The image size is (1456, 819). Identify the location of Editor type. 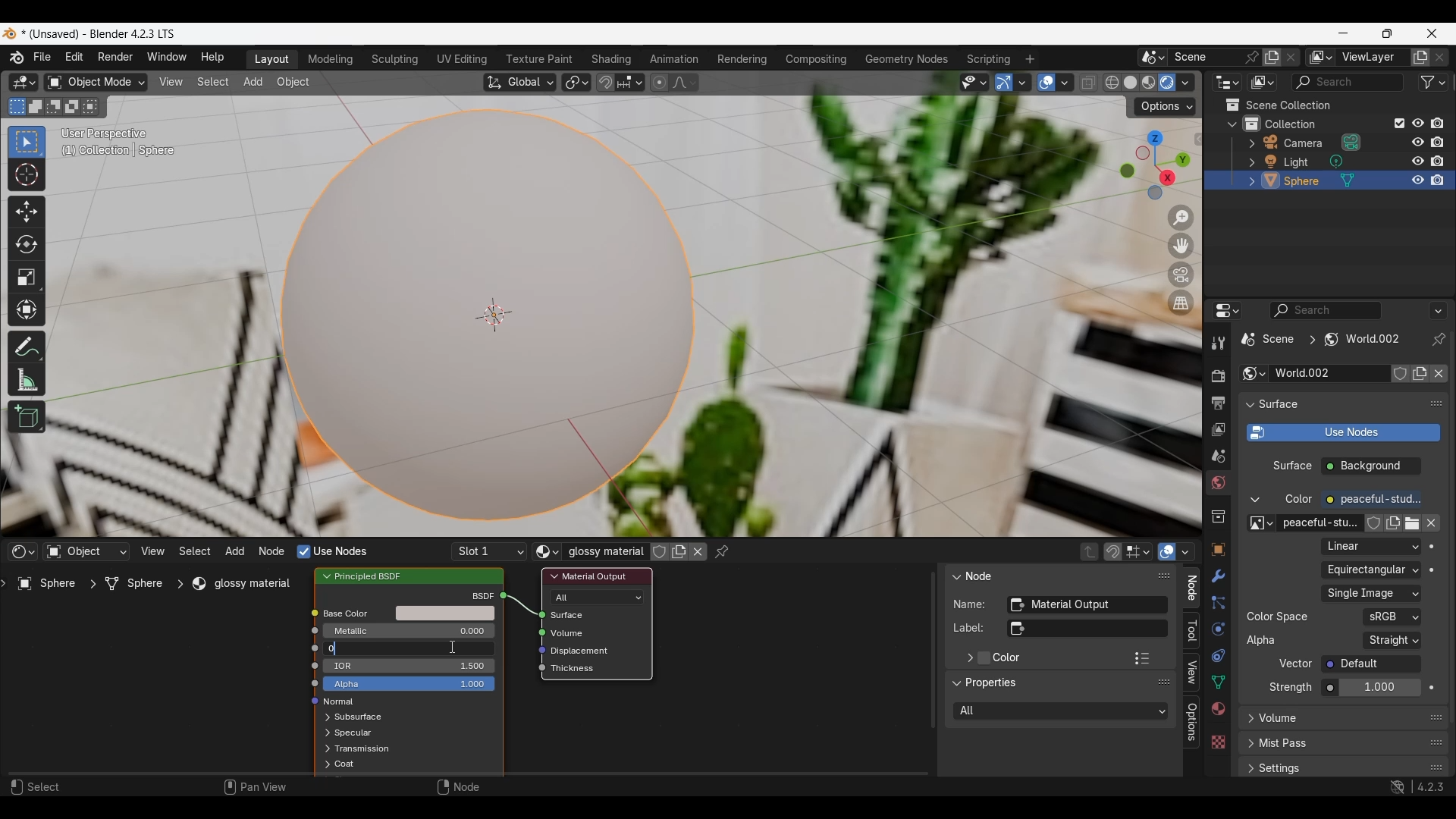
(1228, 82).